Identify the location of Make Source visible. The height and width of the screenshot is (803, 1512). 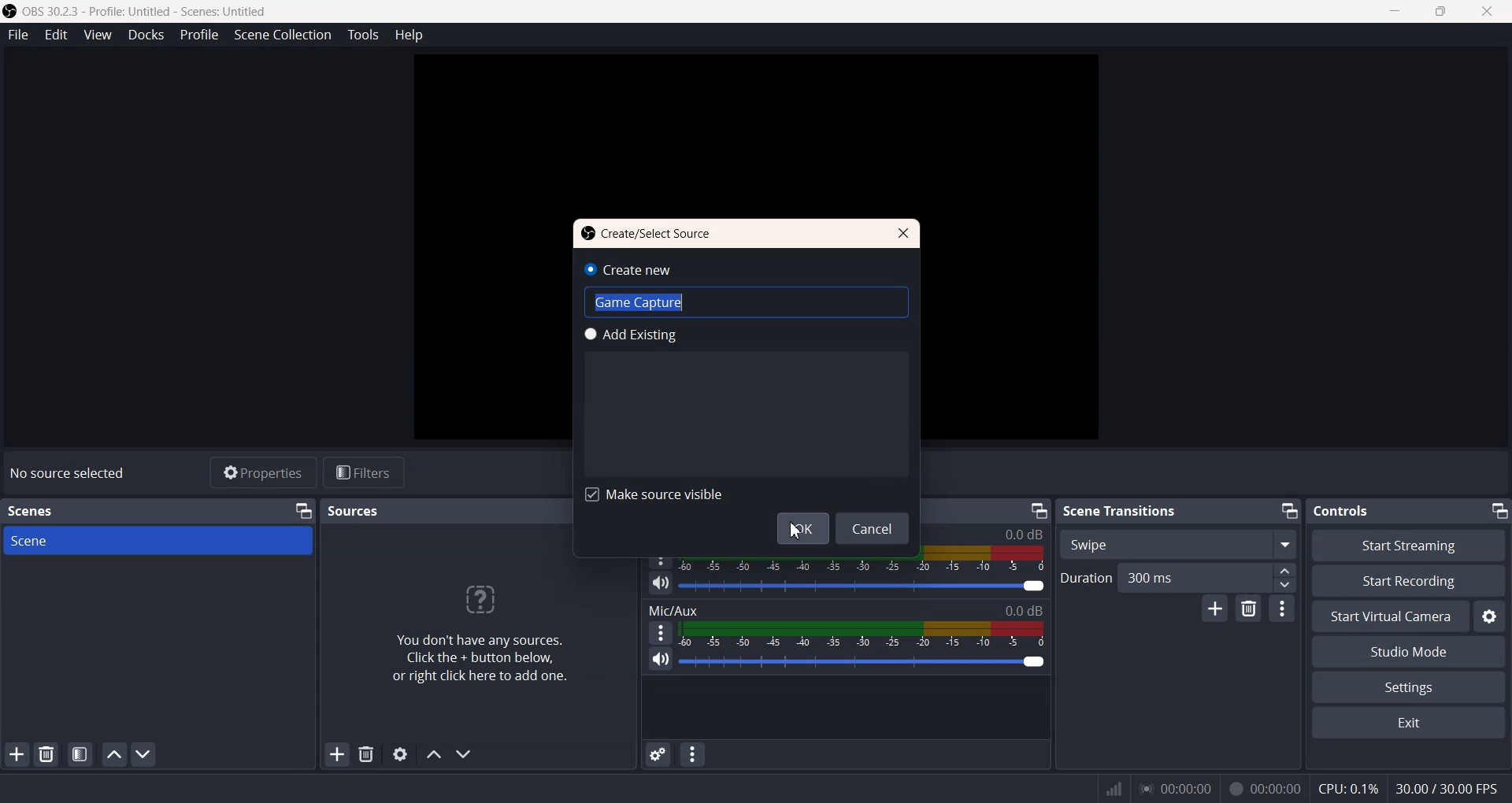
(655, 494).